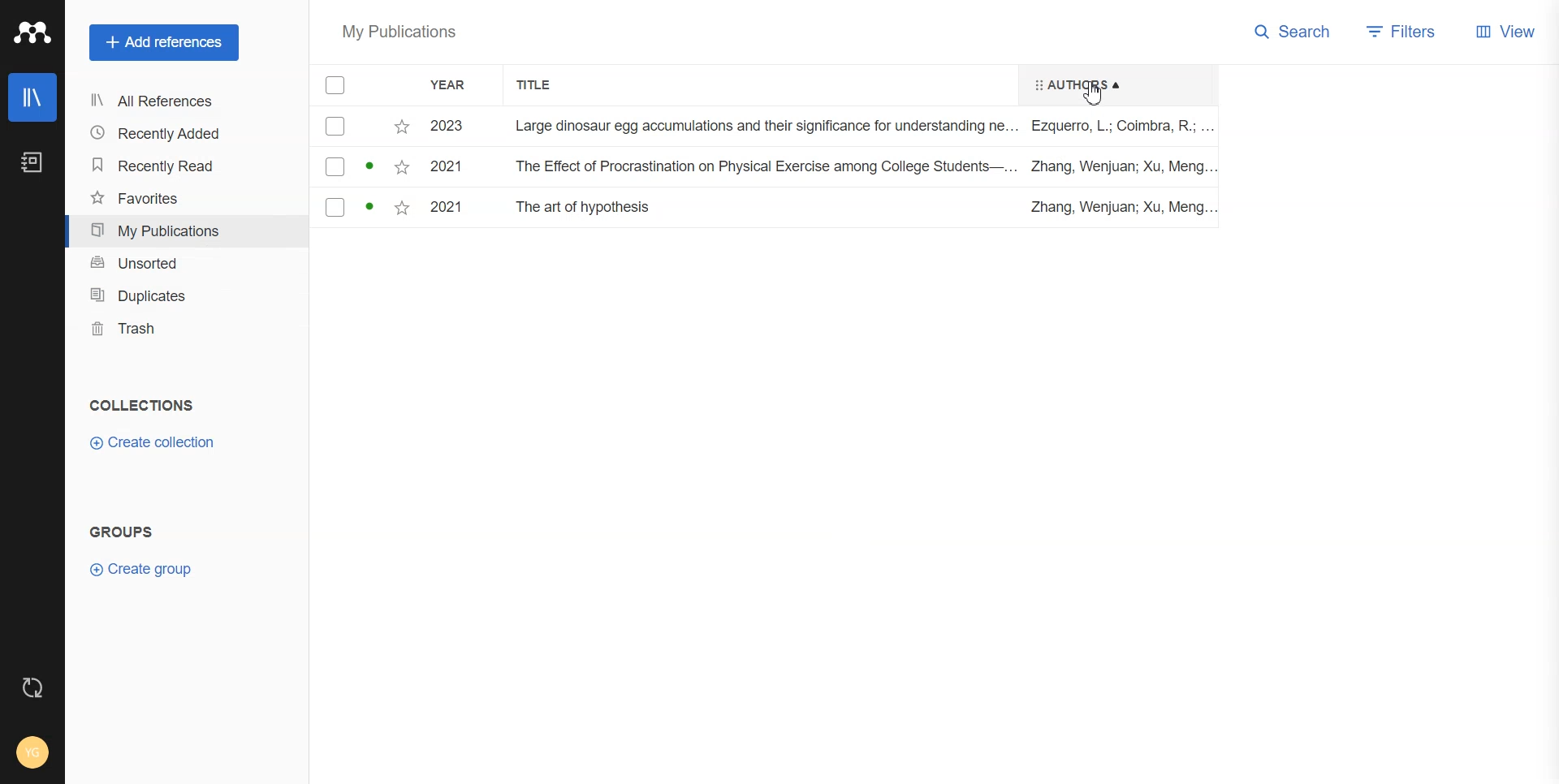 Image resolution: width=1559 pixels, height=784 pixels. What do you see at coordinates (1097, 93) in the screenshot?
I see `Cursor` at bounding box center [1097, 93].